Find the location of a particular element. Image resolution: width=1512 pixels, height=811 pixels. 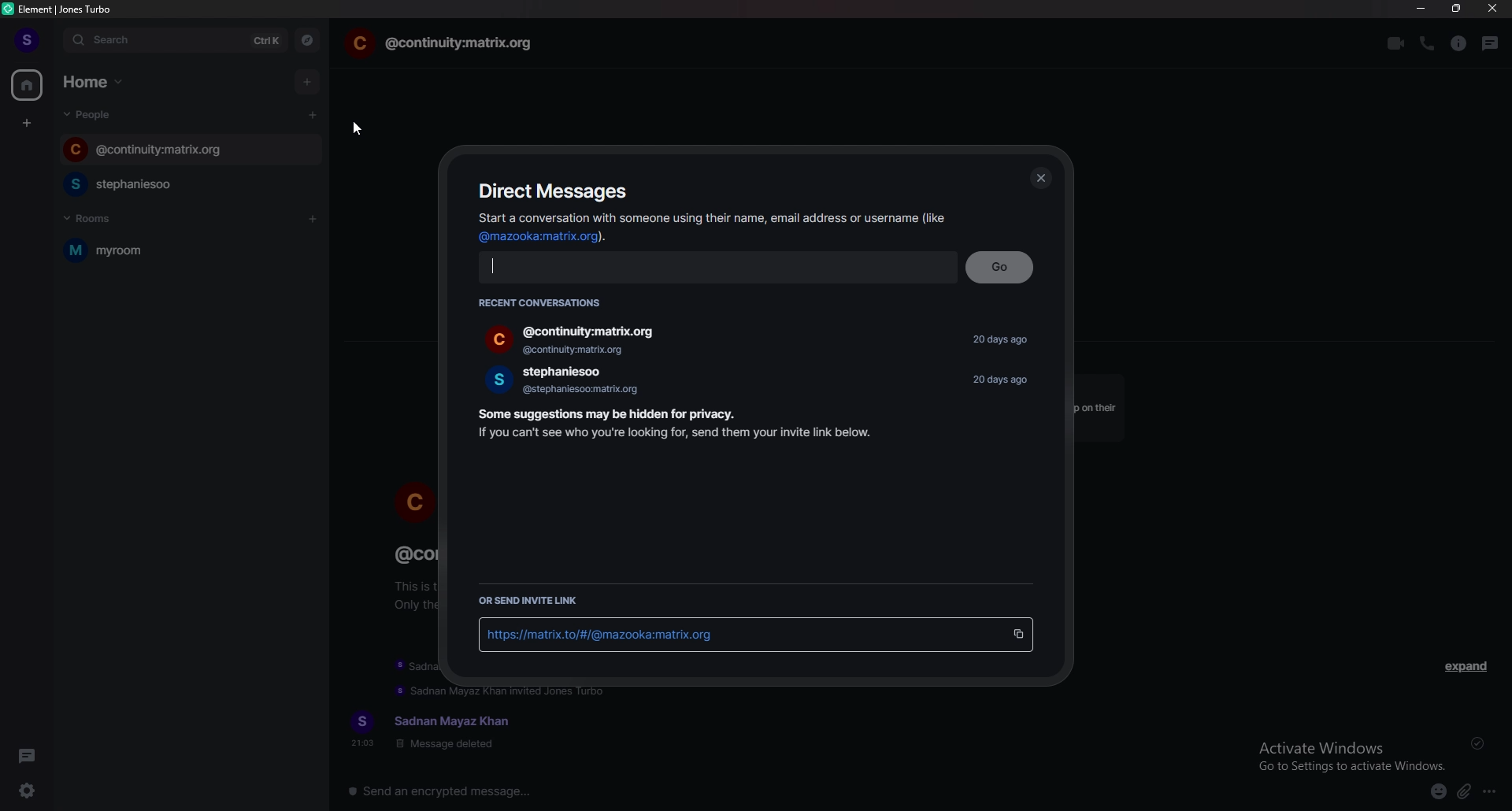

expand is located at coordinates (1465, 666).